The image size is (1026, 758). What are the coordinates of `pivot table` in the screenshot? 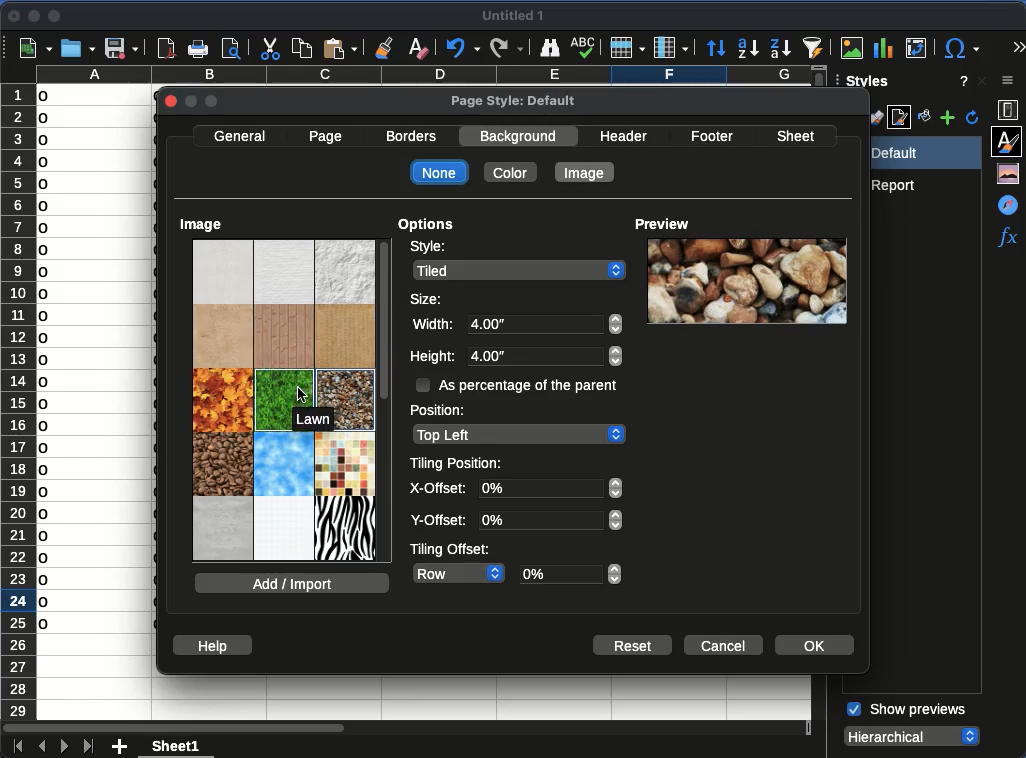 It's located at (918, 48).